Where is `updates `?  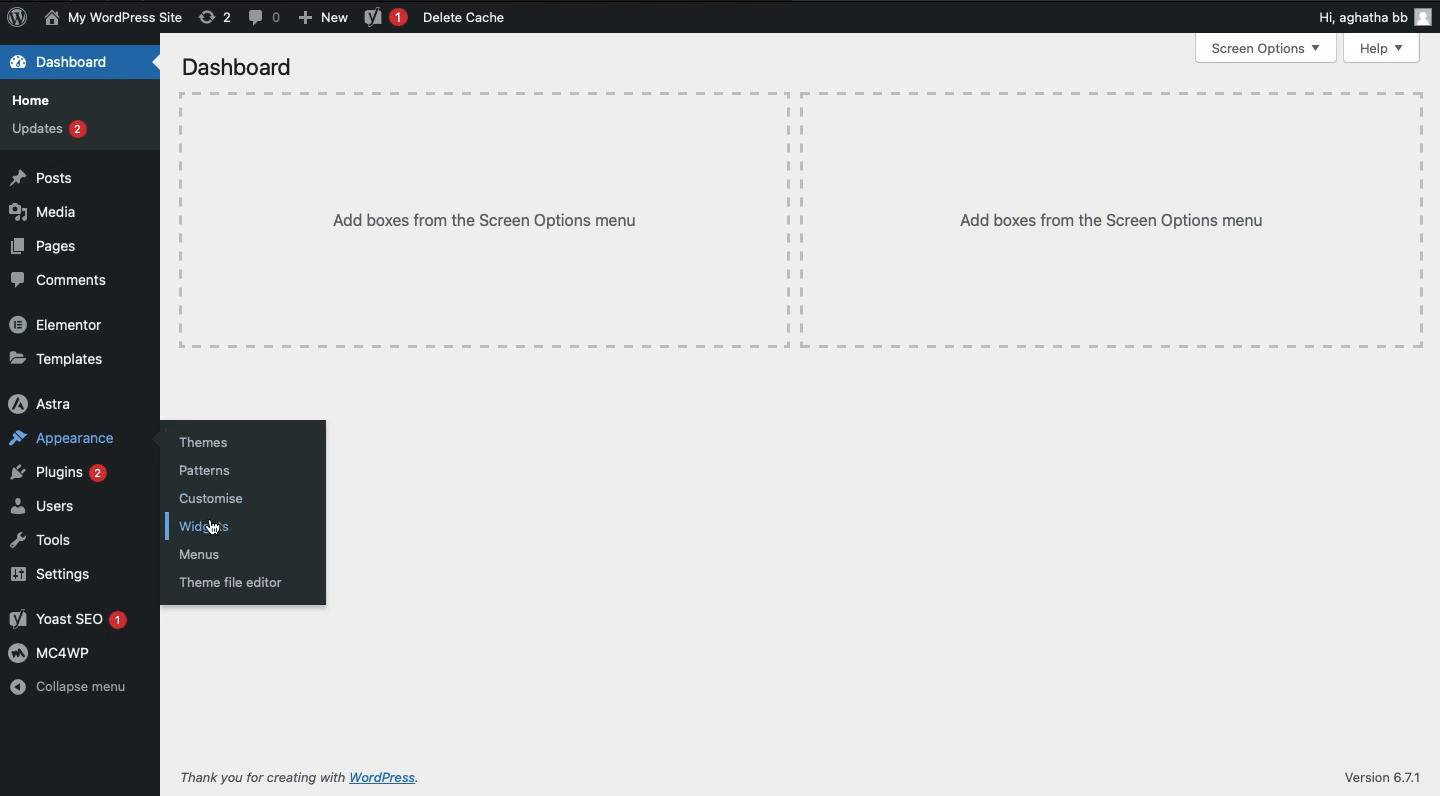 updates  is located at coordinates (45, 130).